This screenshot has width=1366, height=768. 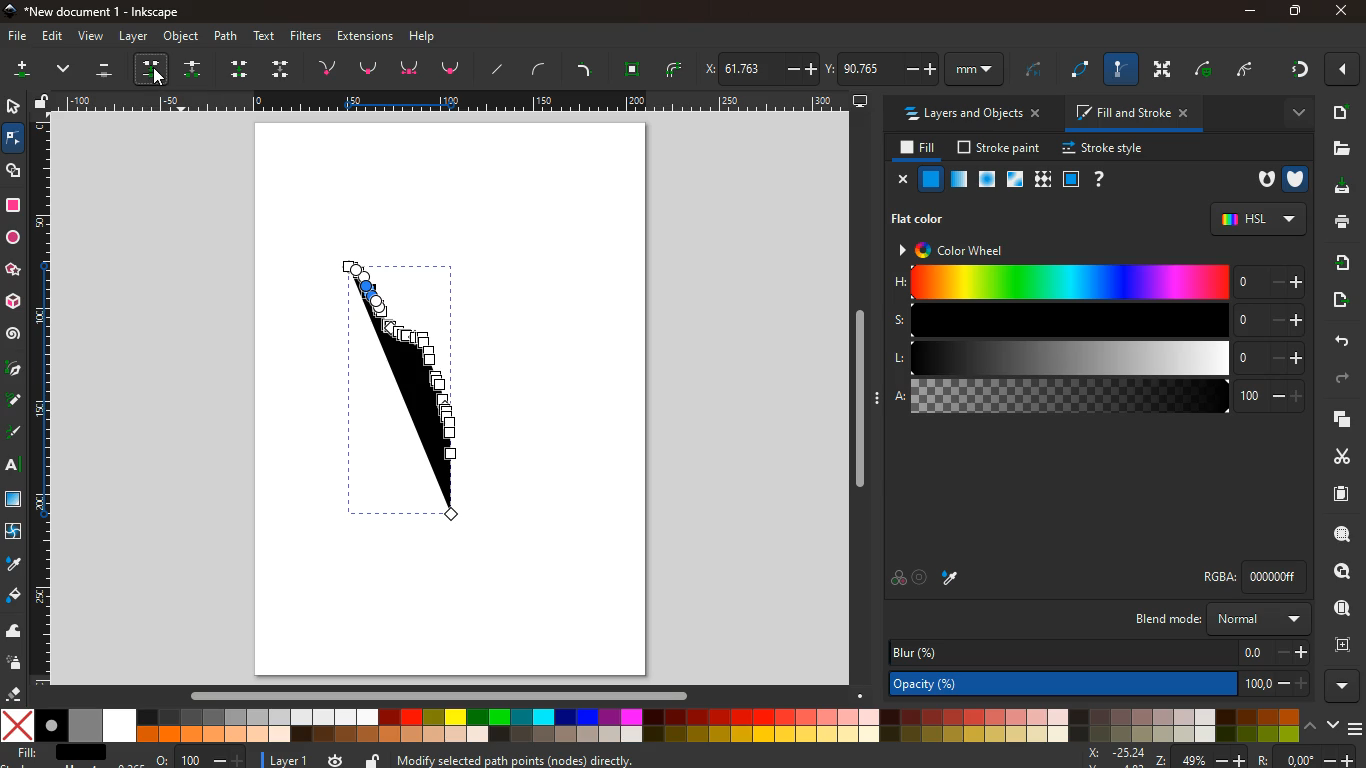 What do you see at coordinates (99, 10) in the screenshot?
I see `inkscape` at bounding box center [99, 10].